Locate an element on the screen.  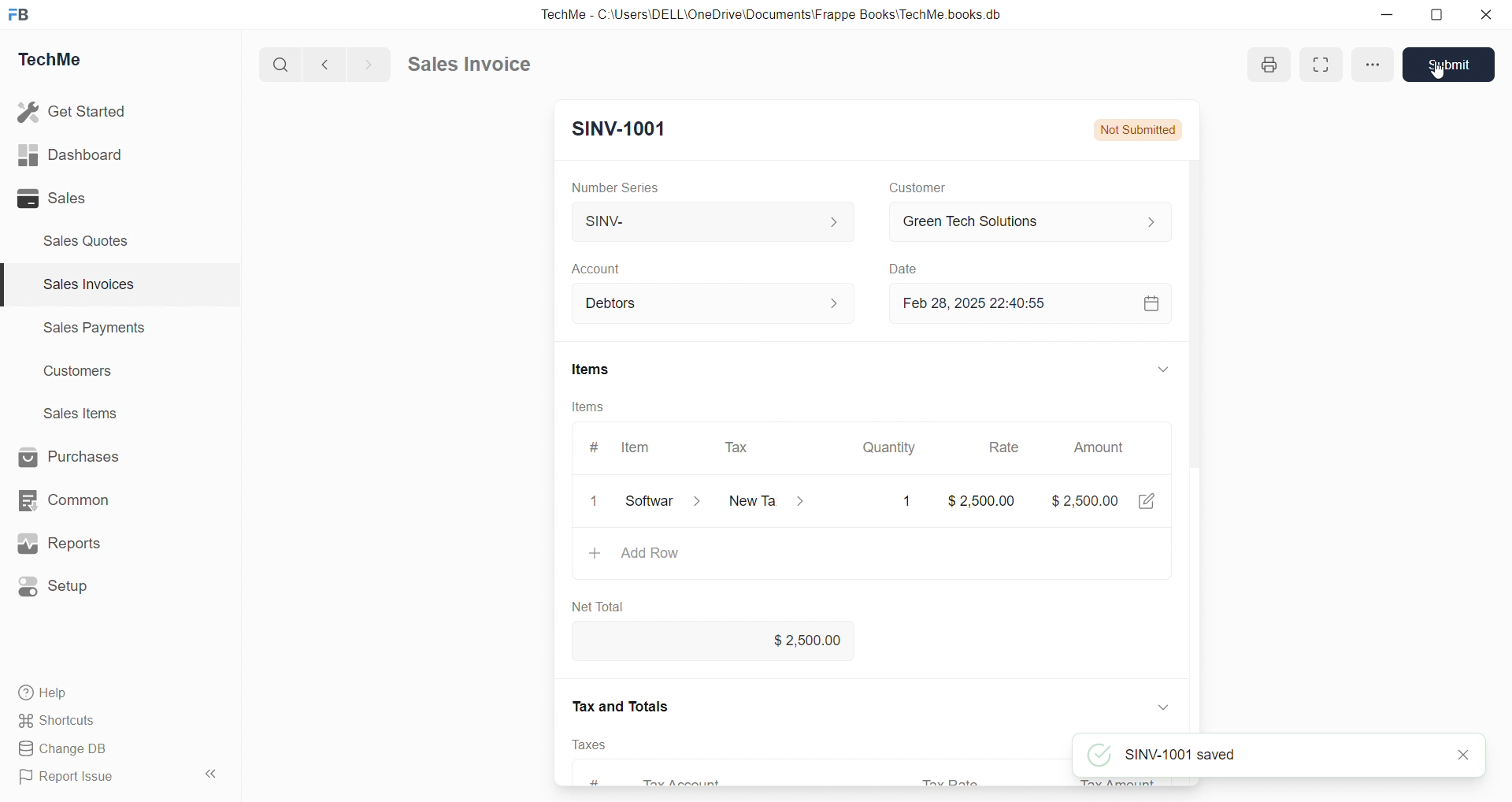
back is located at coordinates (321, 64).